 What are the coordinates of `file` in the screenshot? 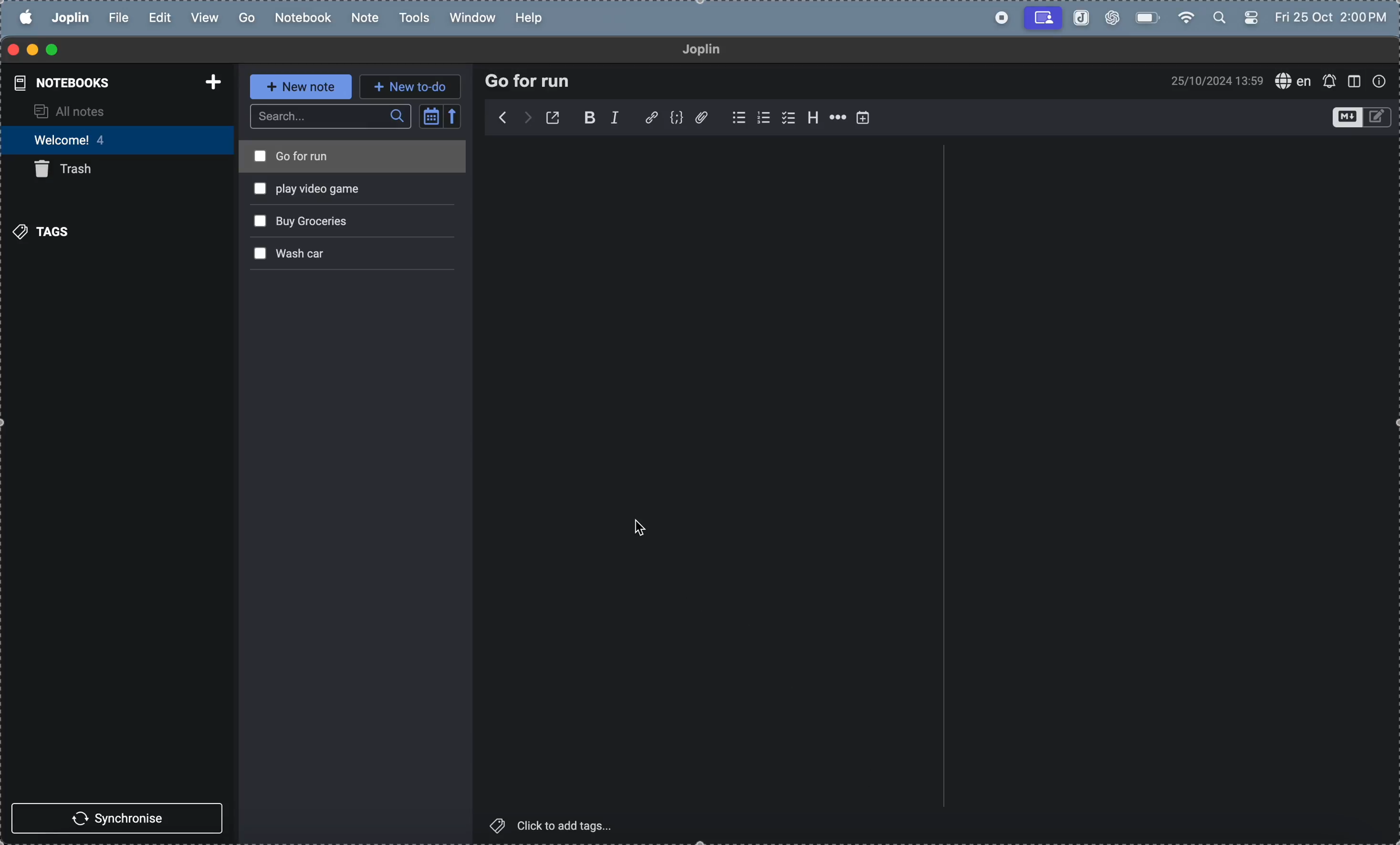 It's located at (118, 16).